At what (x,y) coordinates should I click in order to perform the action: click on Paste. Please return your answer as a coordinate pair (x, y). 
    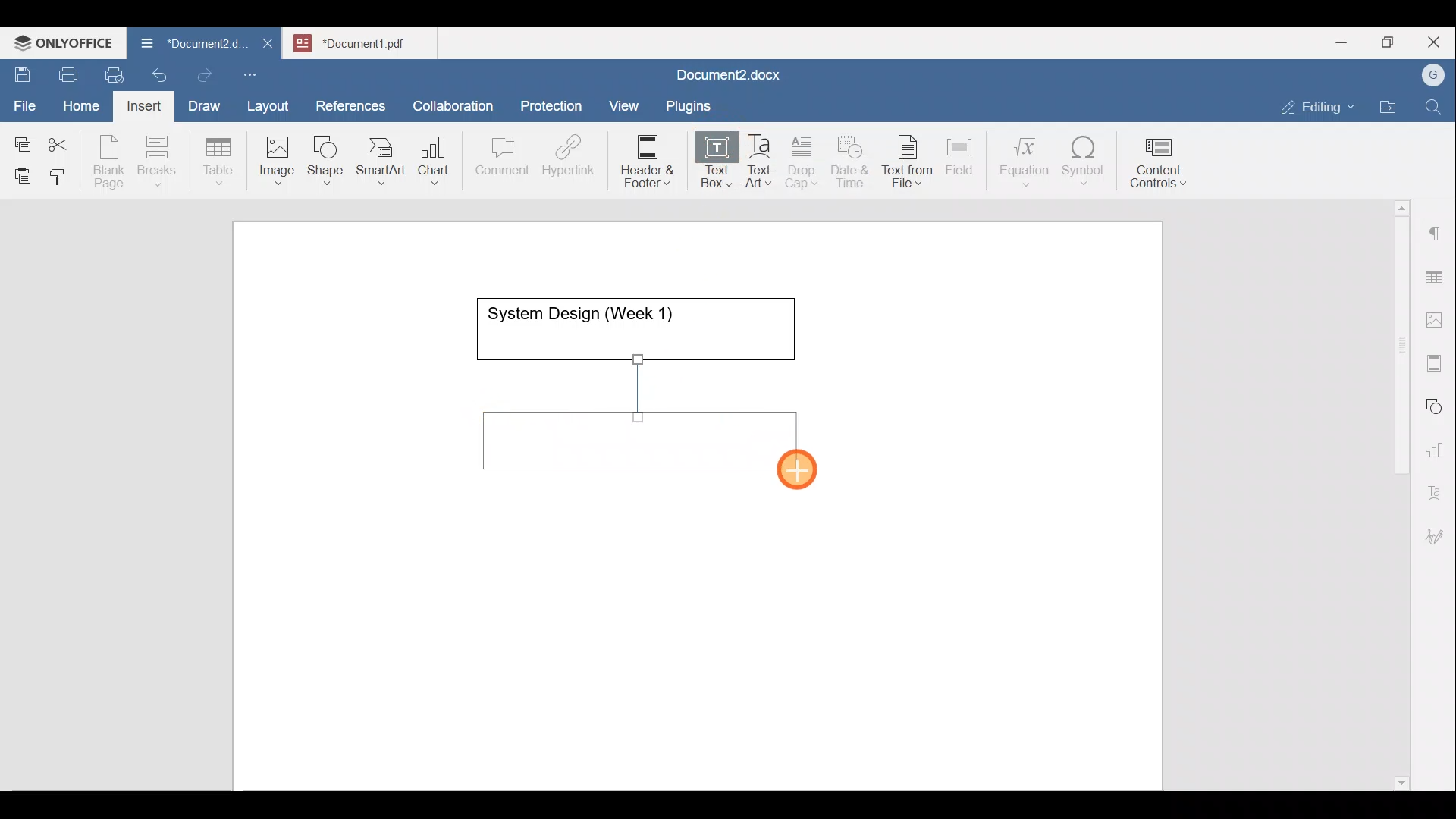
    Looking at the image, I should click on (19, 172).